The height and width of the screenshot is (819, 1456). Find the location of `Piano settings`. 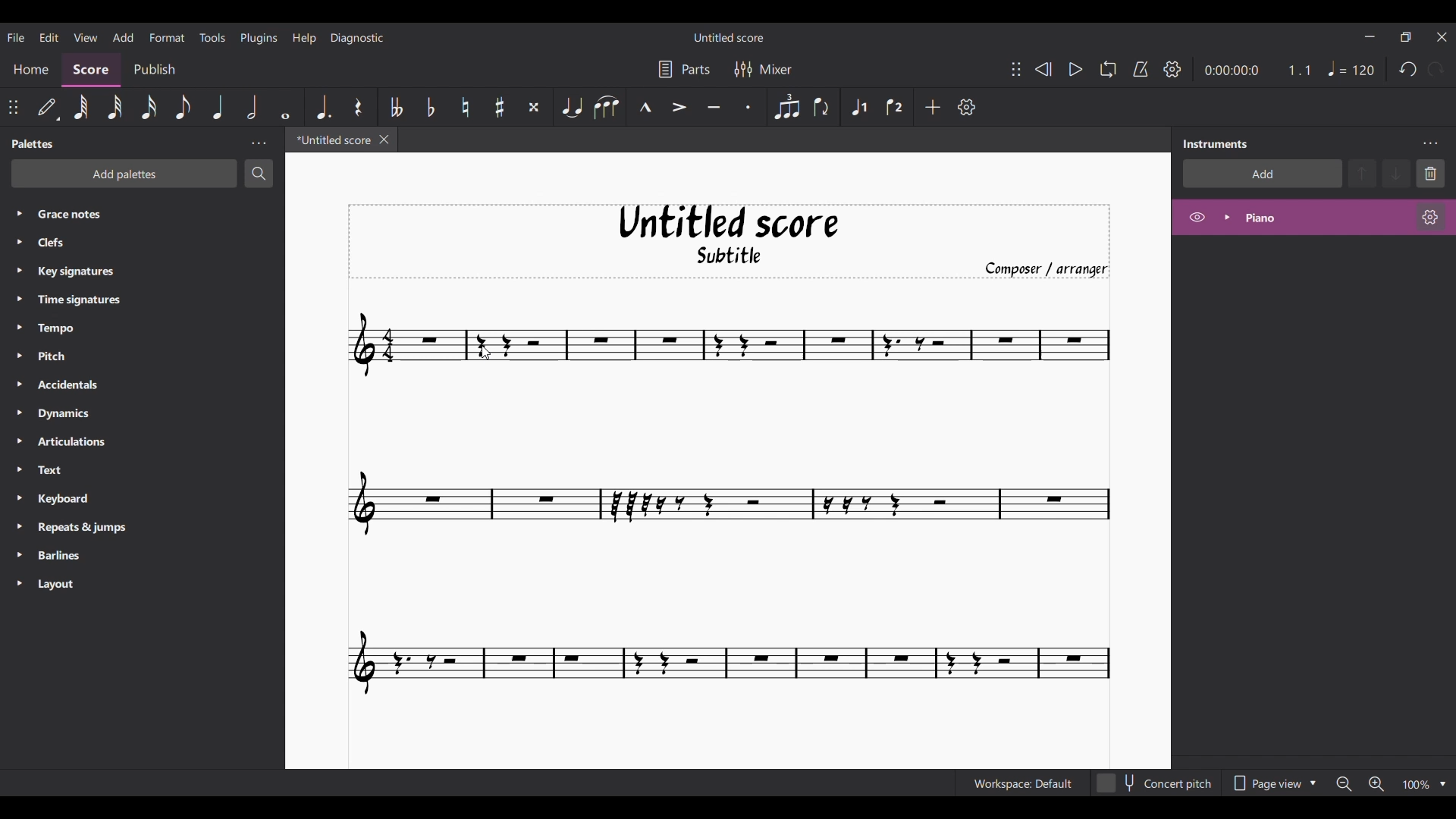

Piano settings is located at coordinates (1430, 217).